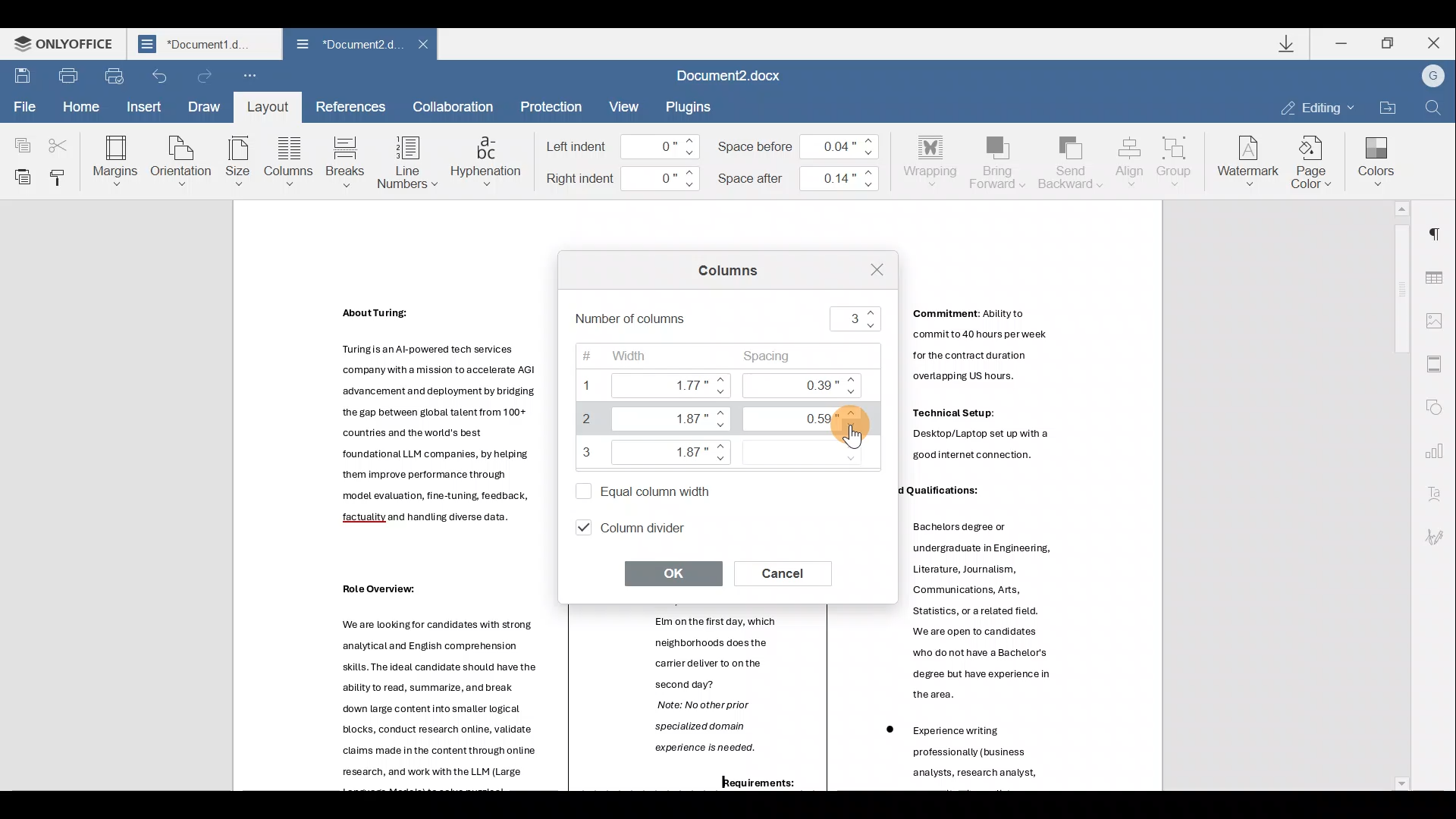 The height and width of the screenshot is (819, 1456). What do you see at coordinates (649, 405) in the screenshot?
I see `Width` at bounding box center [649, 405].